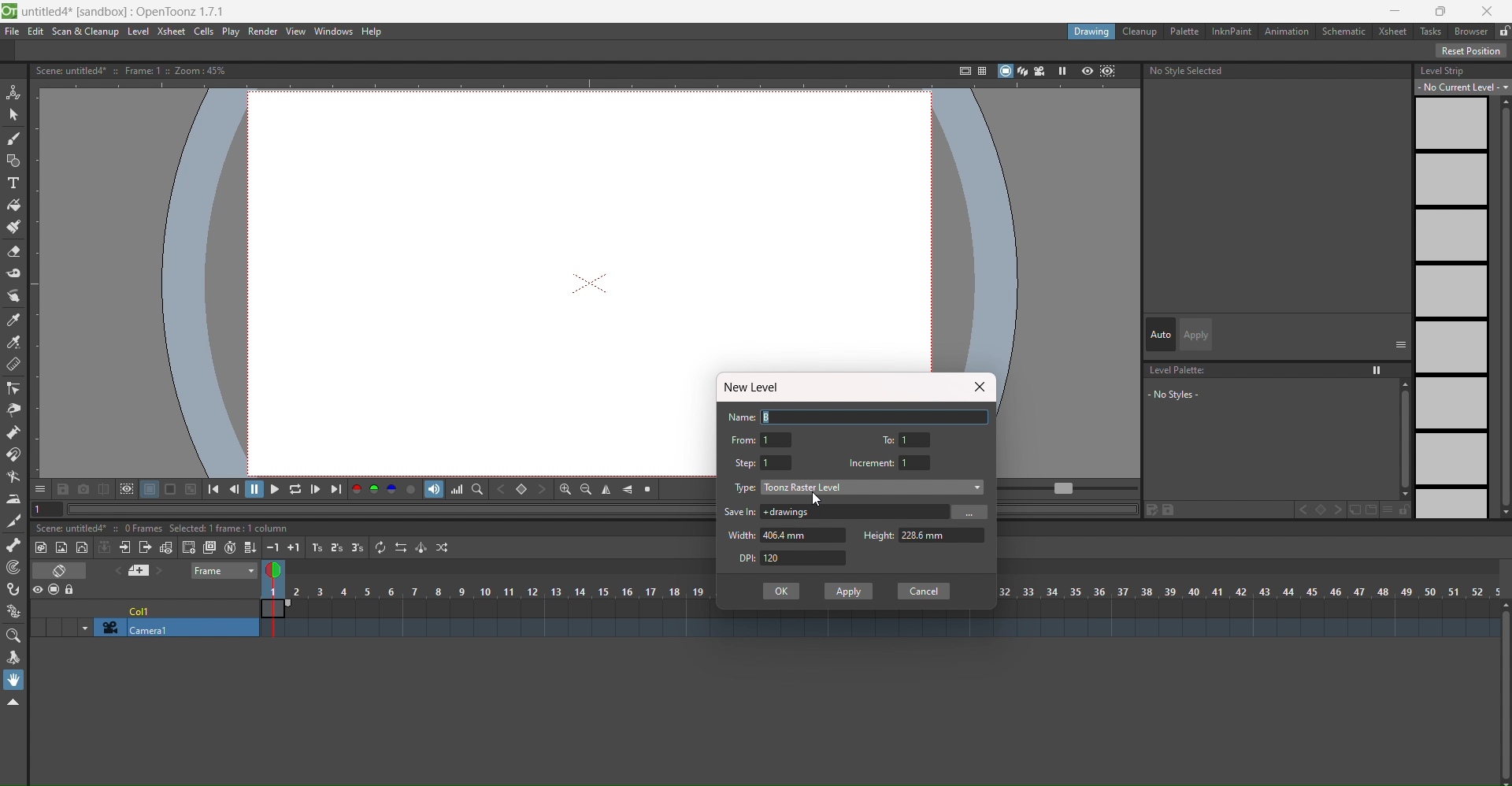 This screenshot has height=786, width=1512. What do you see at coordinates (565, 489) in the screenshot?
I see `zoom in` at bounding box center [565, 489].